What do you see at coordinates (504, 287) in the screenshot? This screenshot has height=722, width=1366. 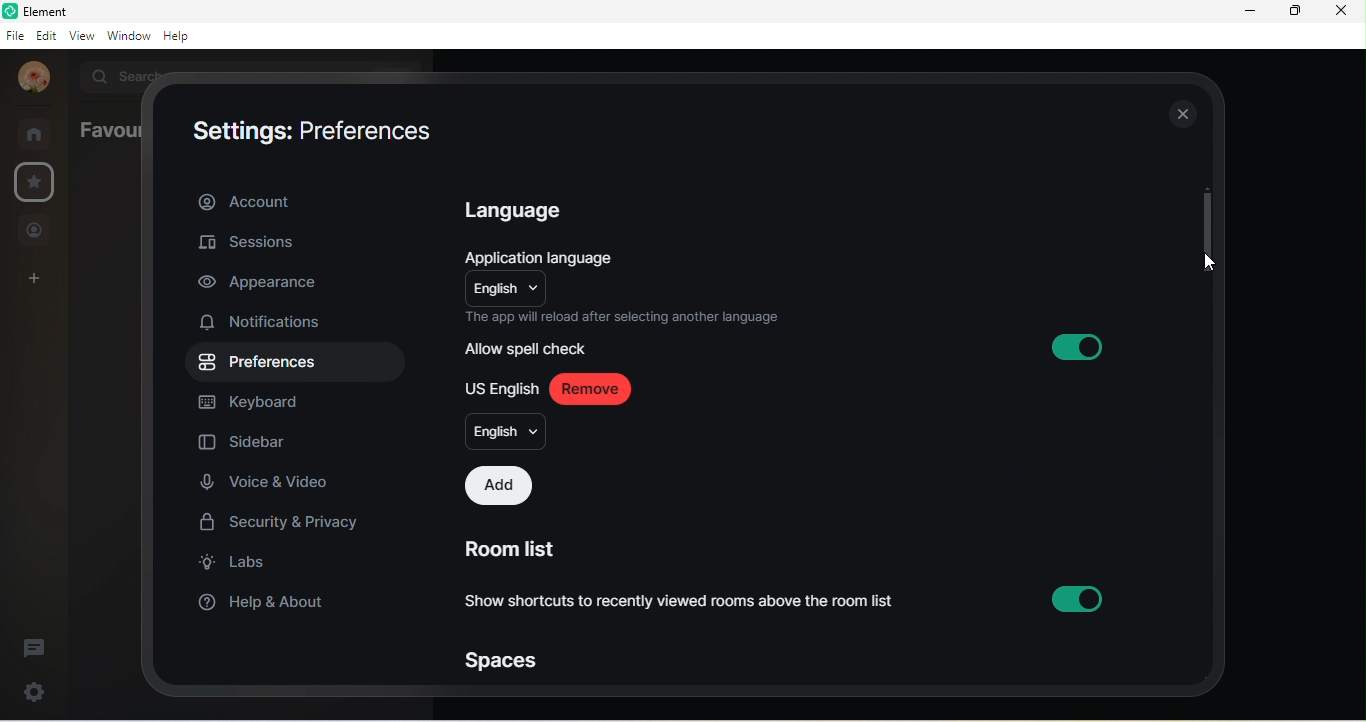 I see `english` at bounding box center [504, 287].